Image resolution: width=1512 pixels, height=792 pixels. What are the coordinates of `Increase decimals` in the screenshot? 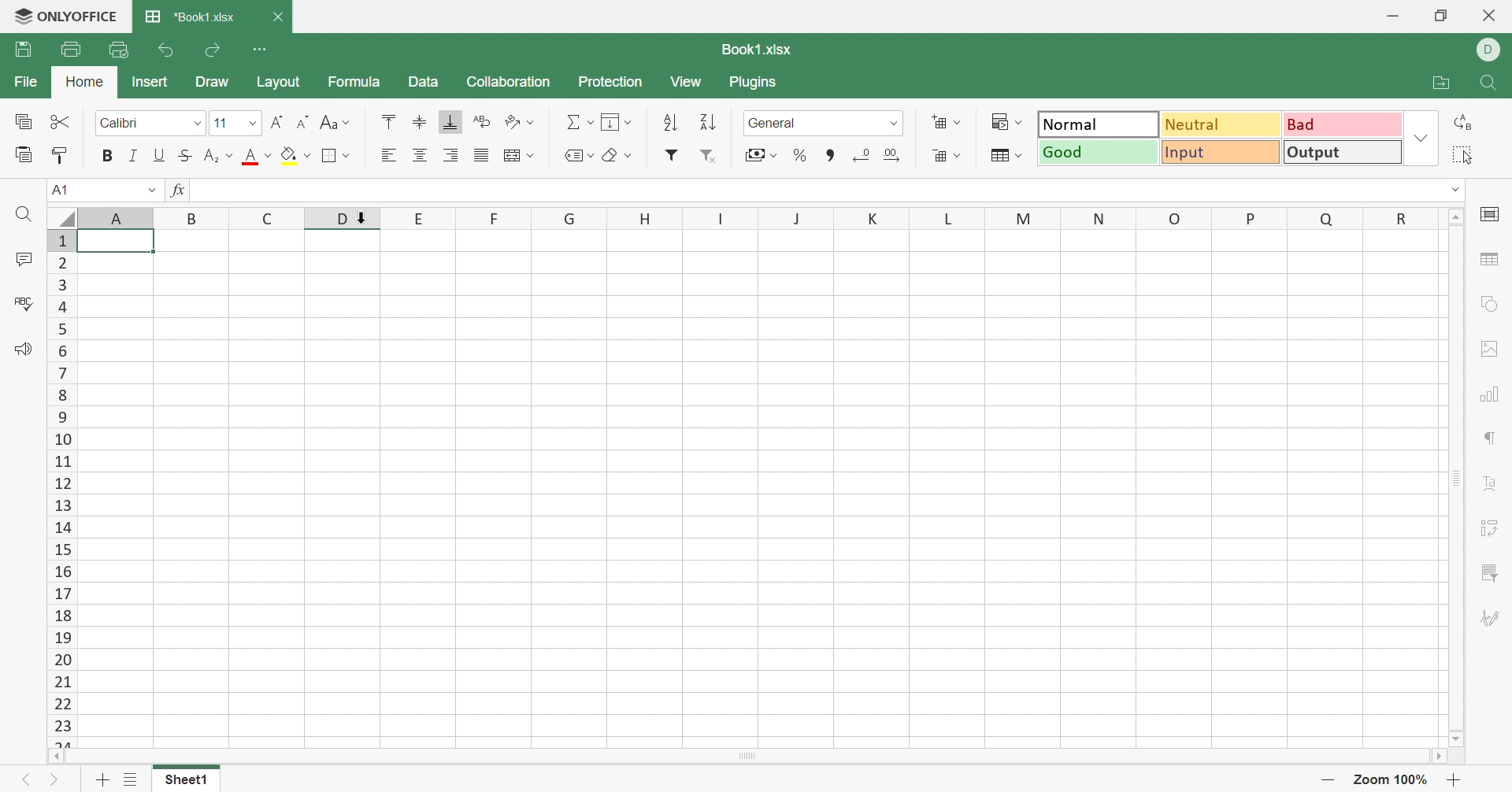 It's located at (859, 156).